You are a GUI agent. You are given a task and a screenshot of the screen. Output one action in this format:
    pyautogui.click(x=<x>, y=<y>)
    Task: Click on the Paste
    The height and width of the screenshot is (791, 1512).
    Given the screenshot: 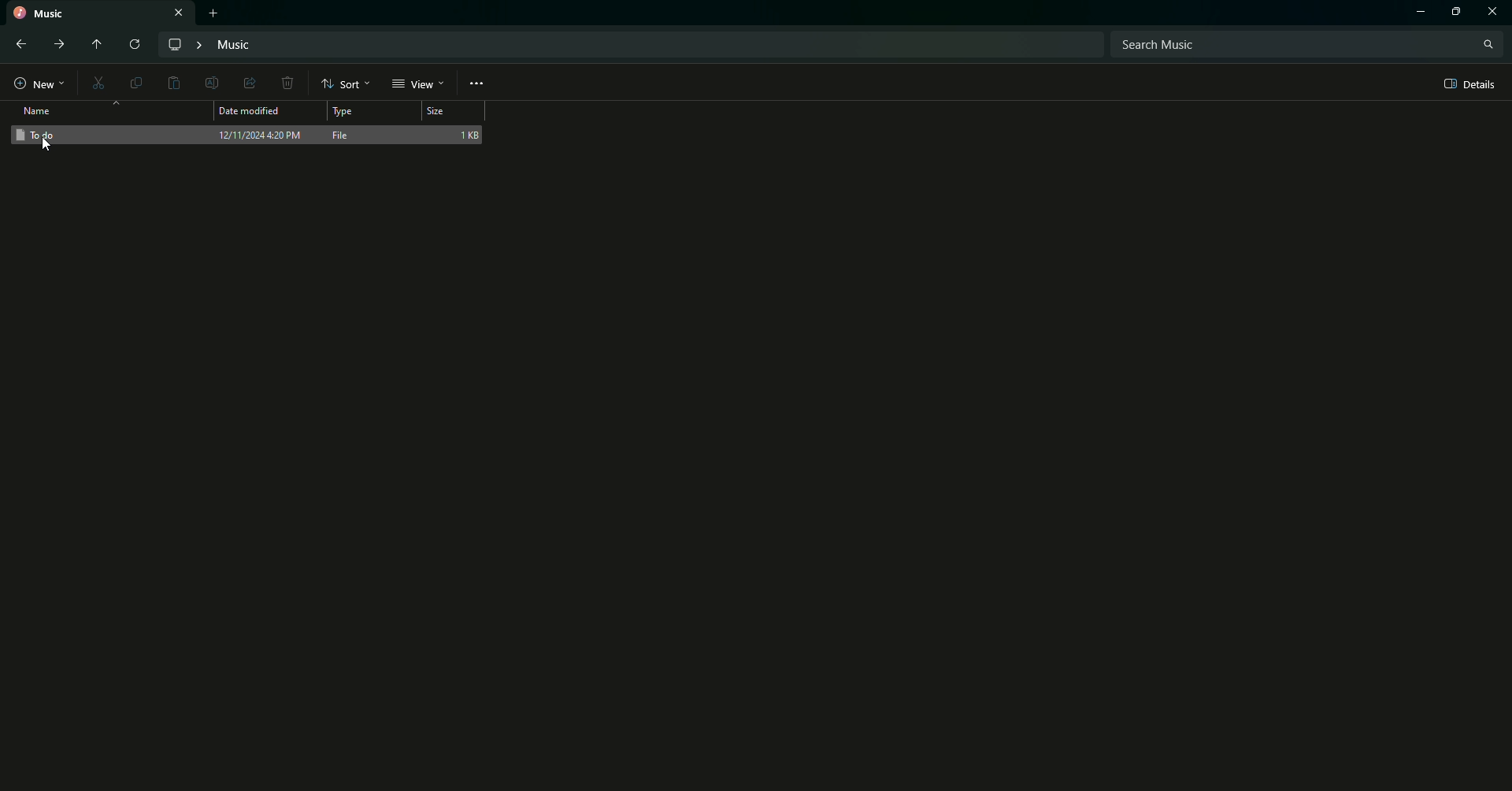 What is the action you would take?
    pyautogui.click(x=174, y=84)
    